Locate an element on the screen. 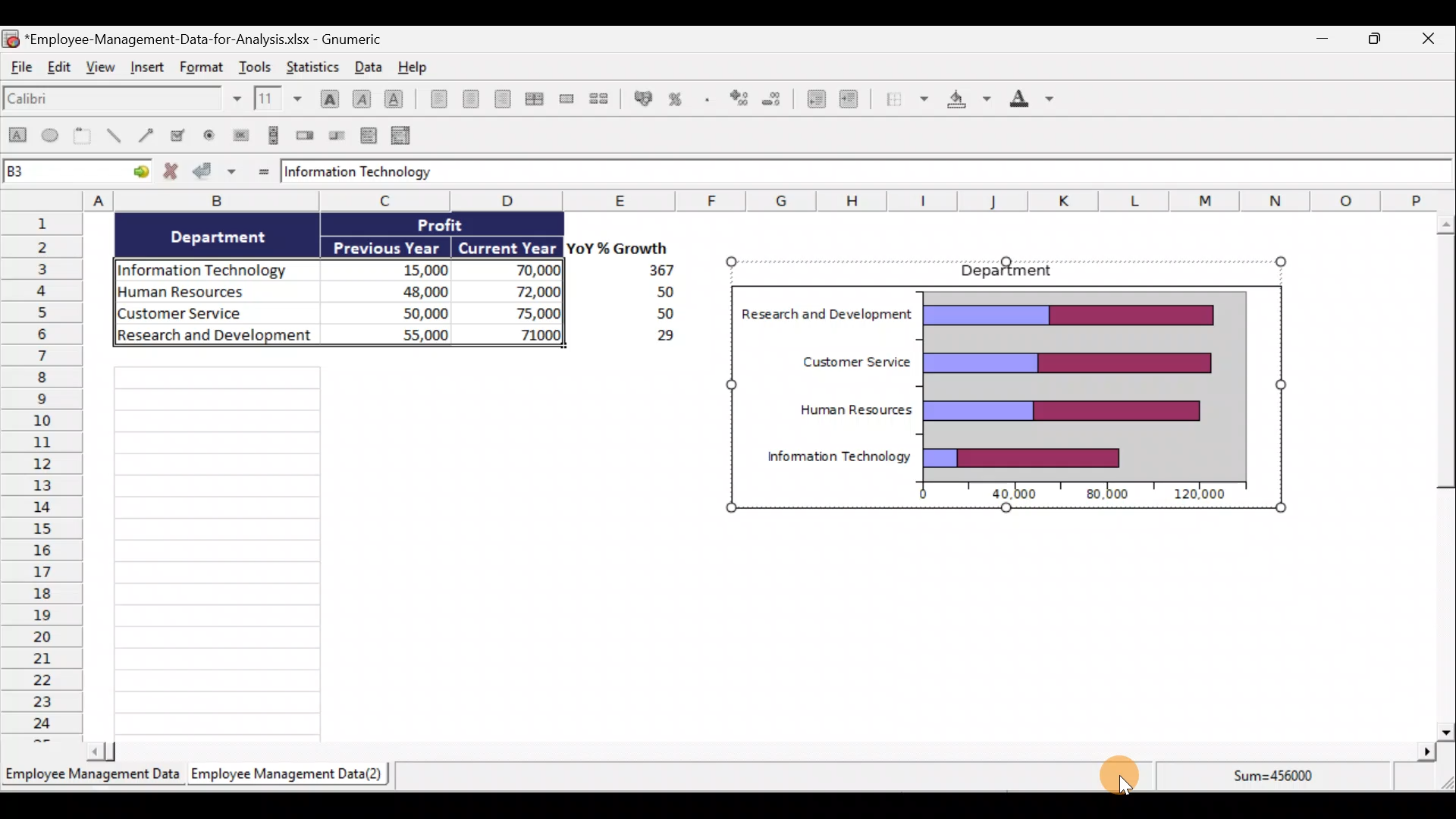 Image resolution: width=1456 pixels, height=819 pixels. Rows is located at coordinates (42, 478).